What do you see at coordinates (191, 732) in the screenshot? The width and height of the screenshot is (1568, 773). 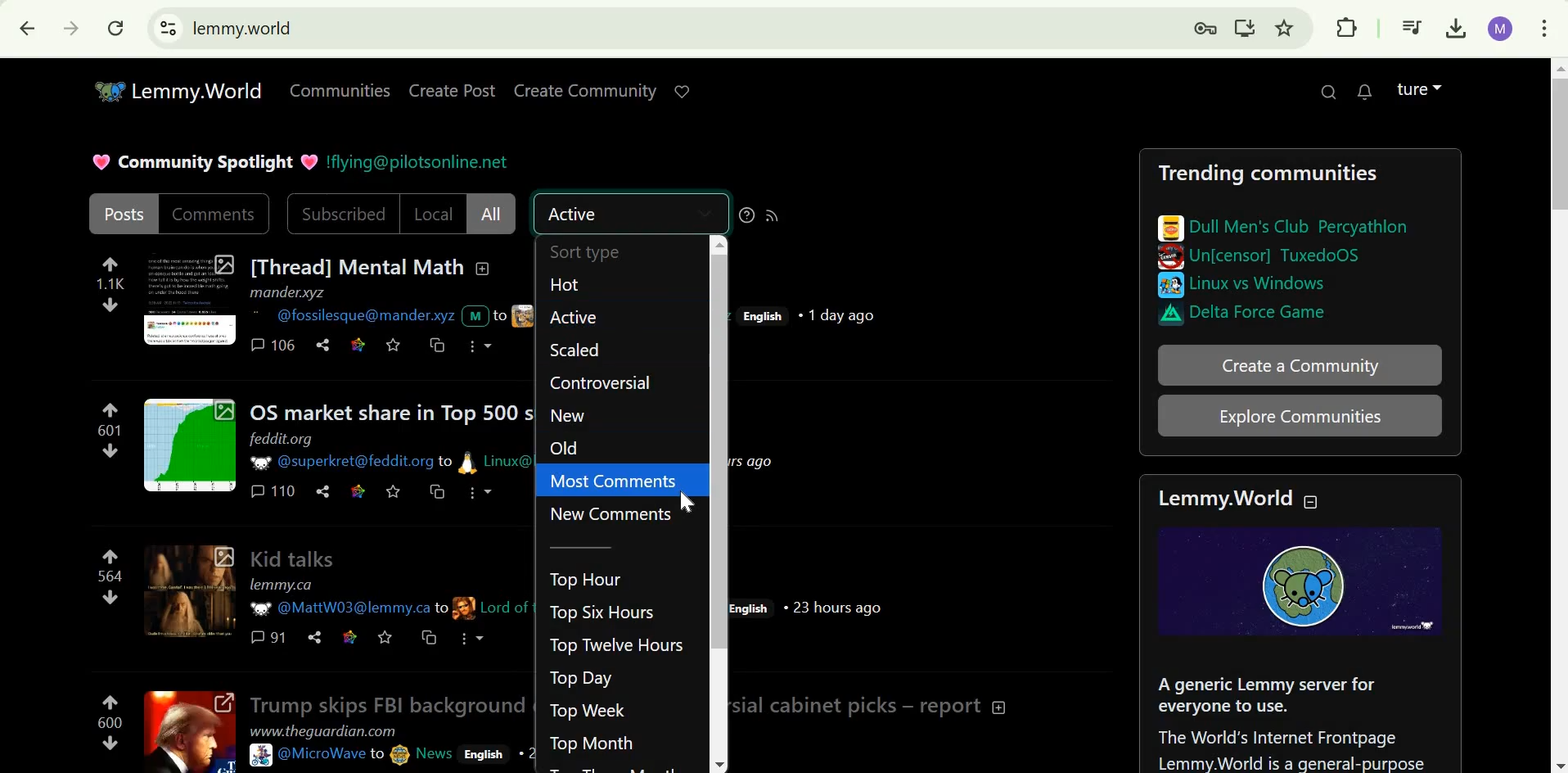 I see `Expand` at bounding box center [191, 732].